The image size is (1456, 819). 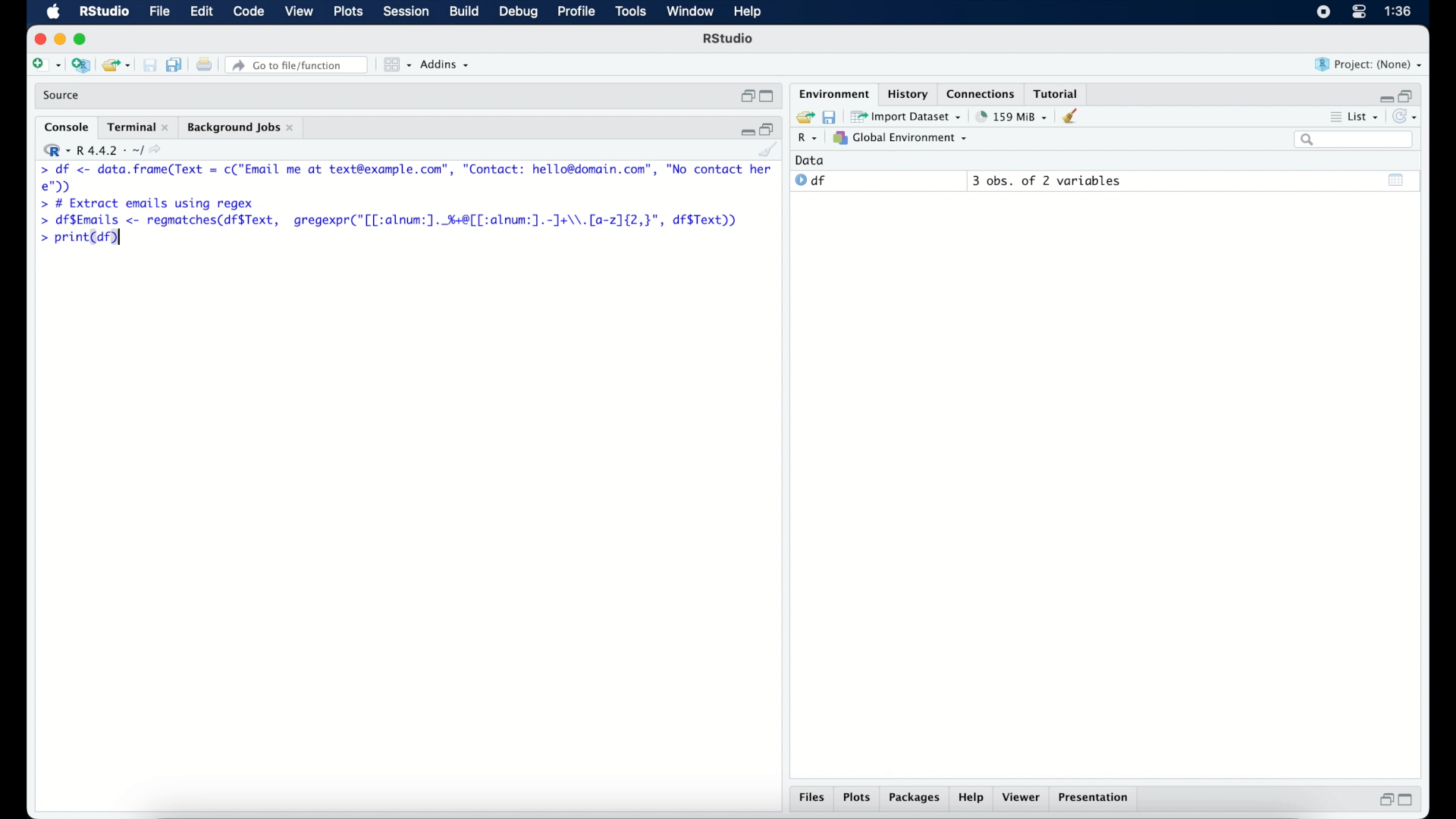 What do you see at coordinates (833, 93) in the screenshot?
I see `environment` at bounding box center [833, 93].